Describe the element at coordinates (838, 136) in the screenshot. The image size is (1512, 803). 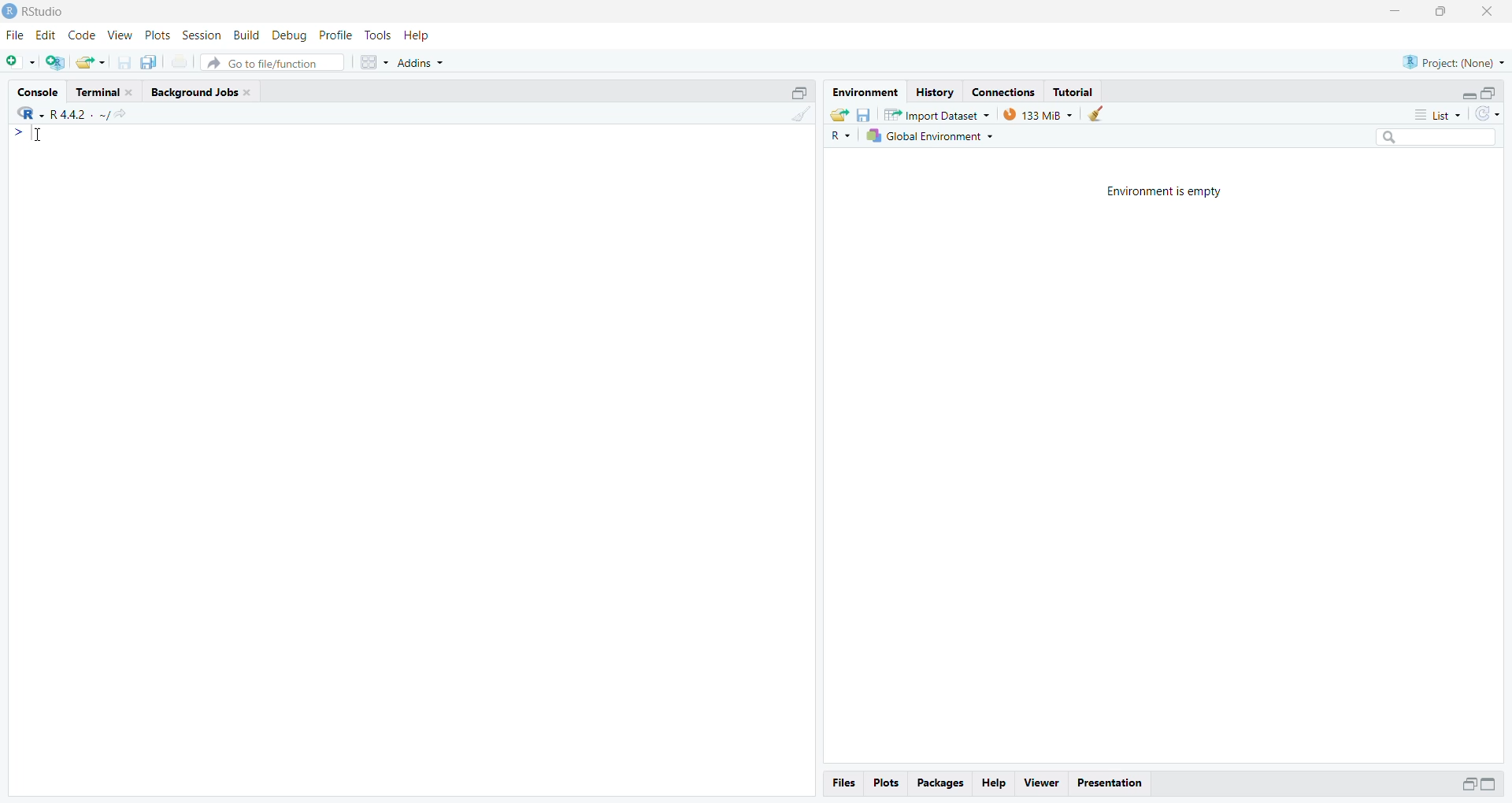
I see `R` at that location.